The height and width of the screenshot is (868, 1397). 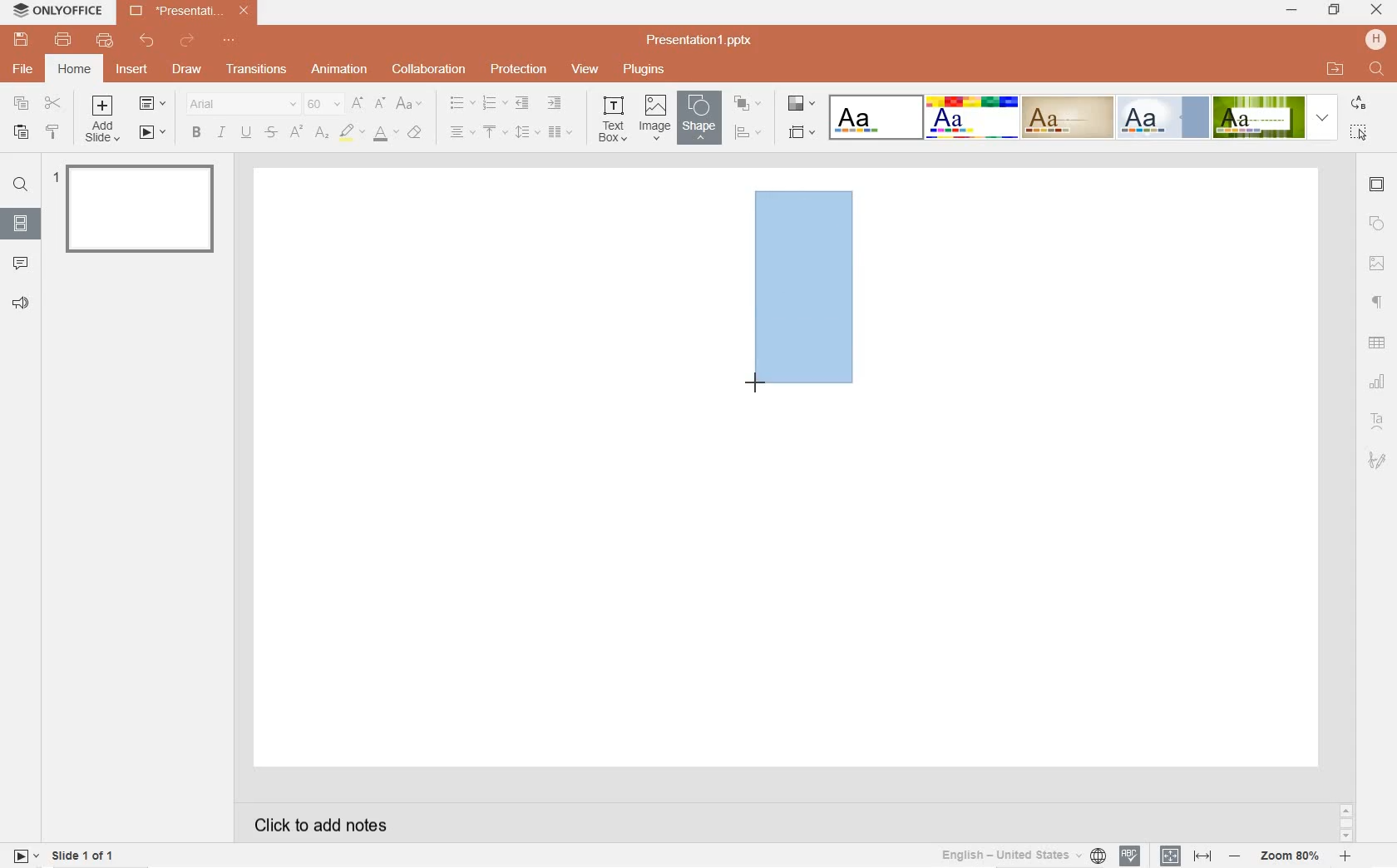 I want to click on set text or document language, so click(x=1183, y=856).